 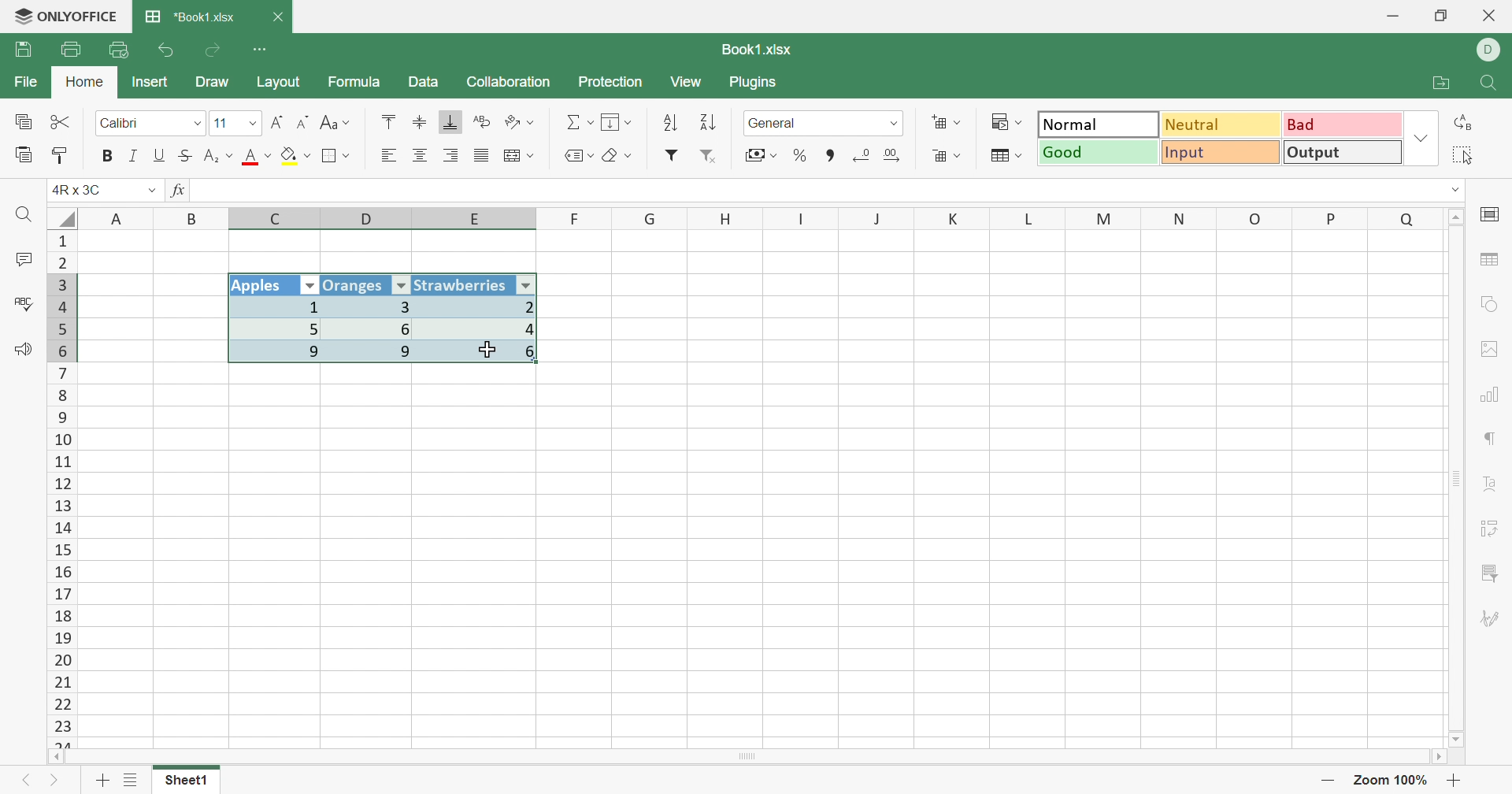 What do you see at coordinates (1490, 570) in the screenshot?
I see `slicer settings` at bounding box center [1490, 570].